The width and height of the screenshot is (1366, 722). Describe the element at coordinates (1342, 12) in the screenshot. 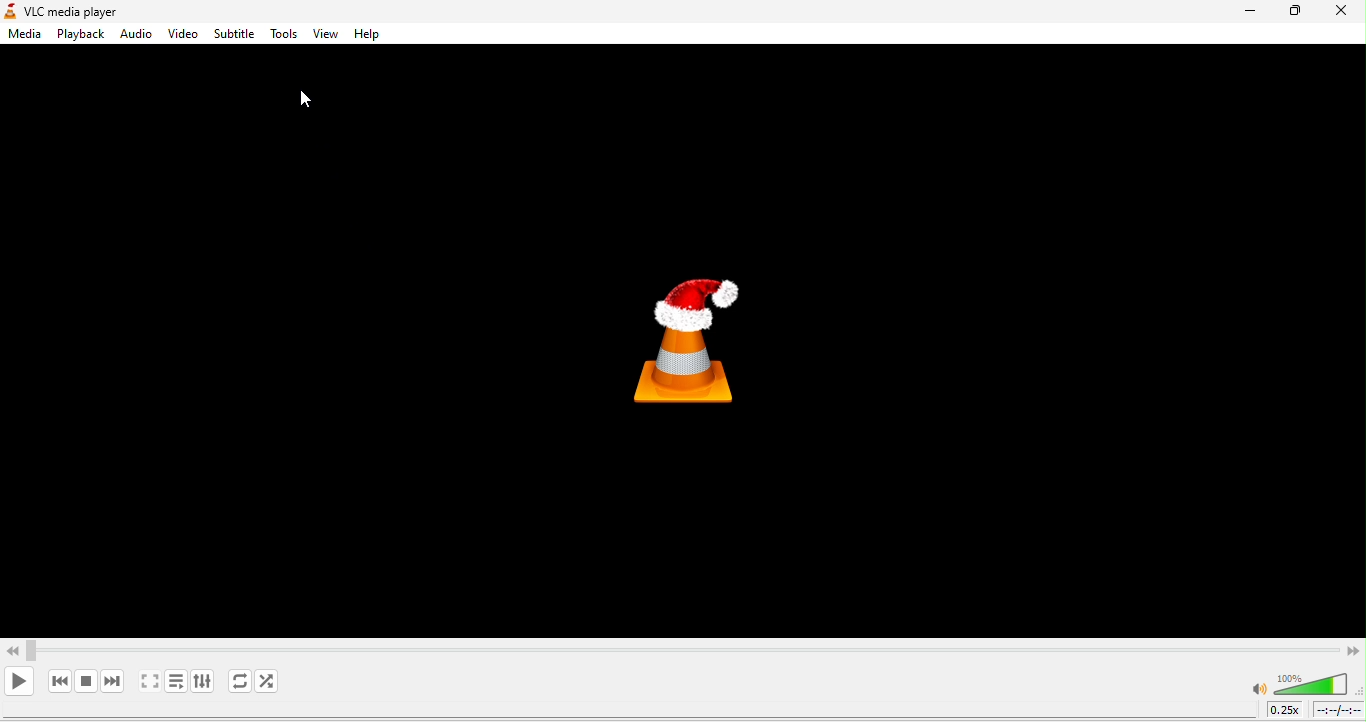

I see `close` at that location.